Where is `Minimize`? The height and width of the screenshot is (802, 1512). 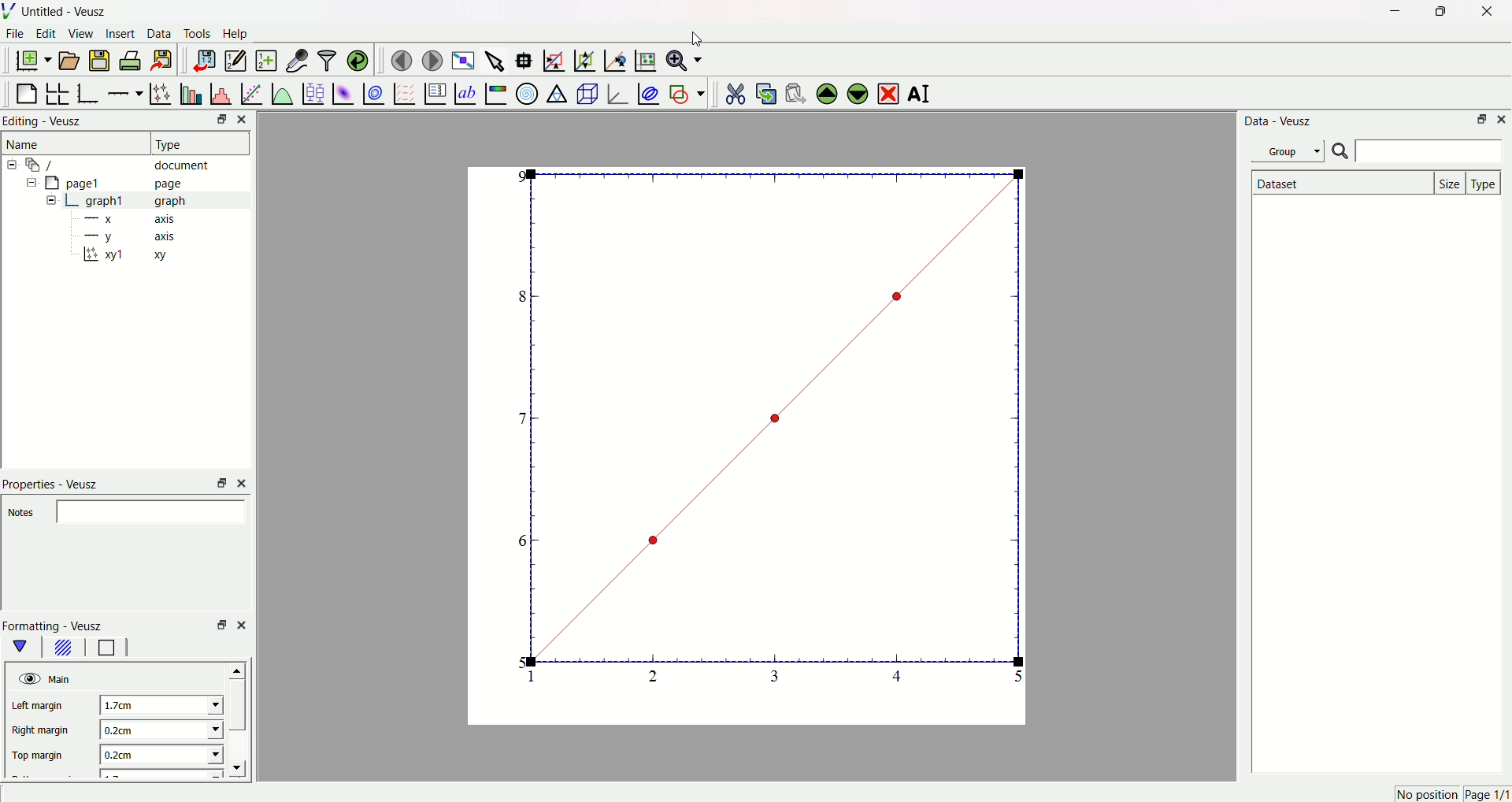 Minimize is located at coordinates (1480, 121).